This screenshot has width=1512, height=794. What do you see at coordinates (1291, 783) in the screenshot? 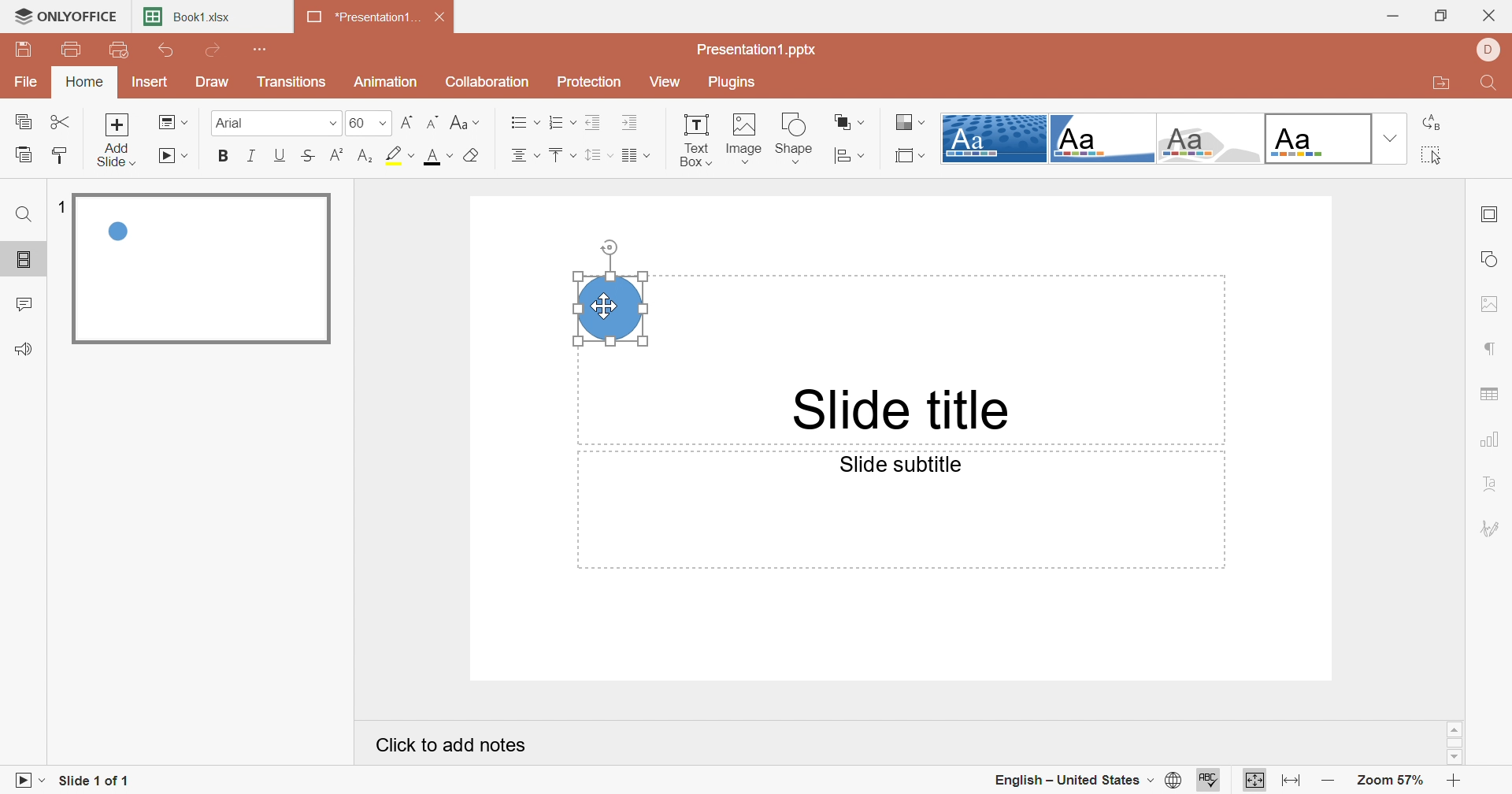
I see `Fit to width` at bounding box center [1291, 783].